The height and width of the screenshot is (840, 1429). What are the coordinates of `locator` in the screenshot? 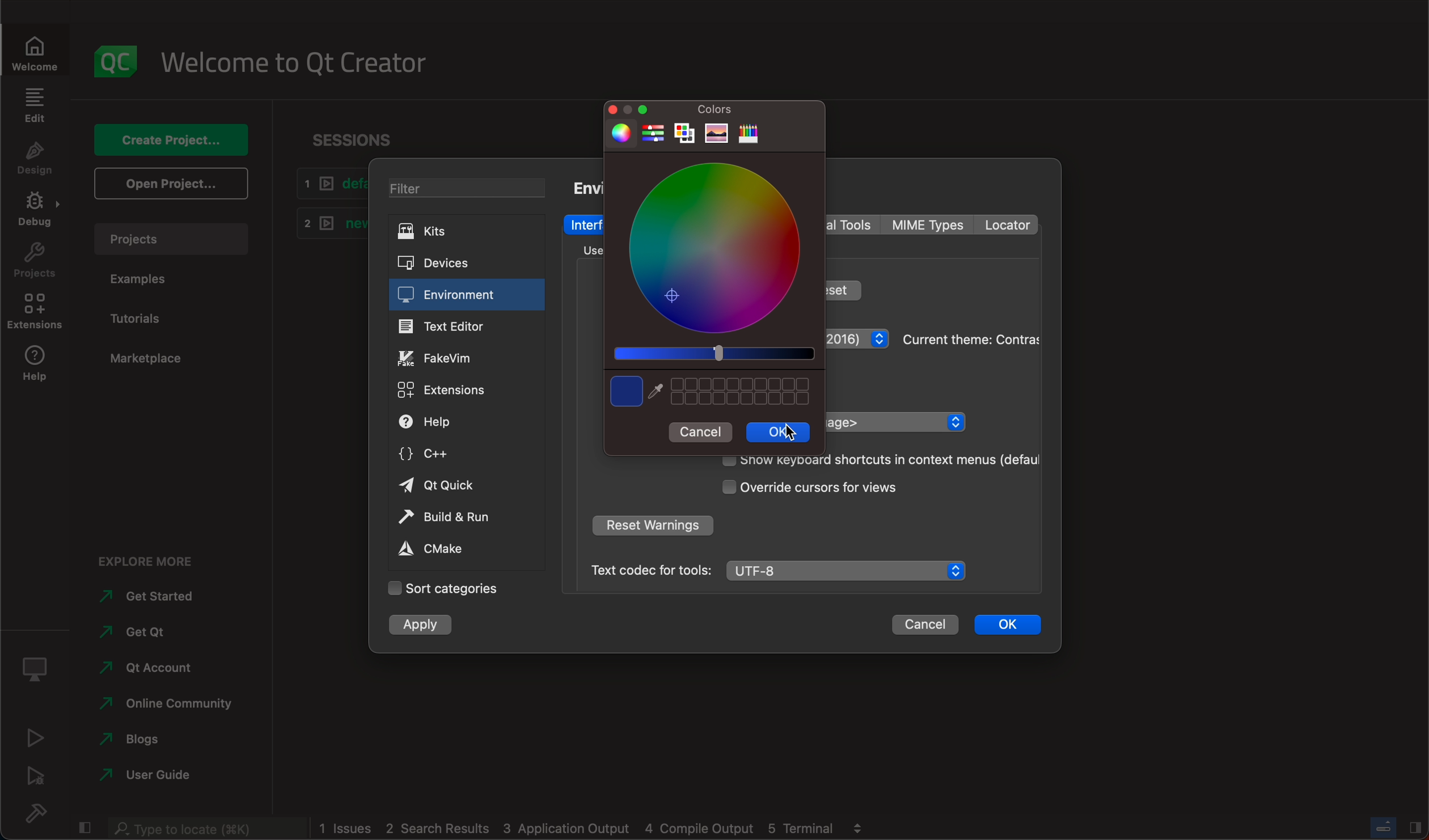 It's located at (1006, 225).